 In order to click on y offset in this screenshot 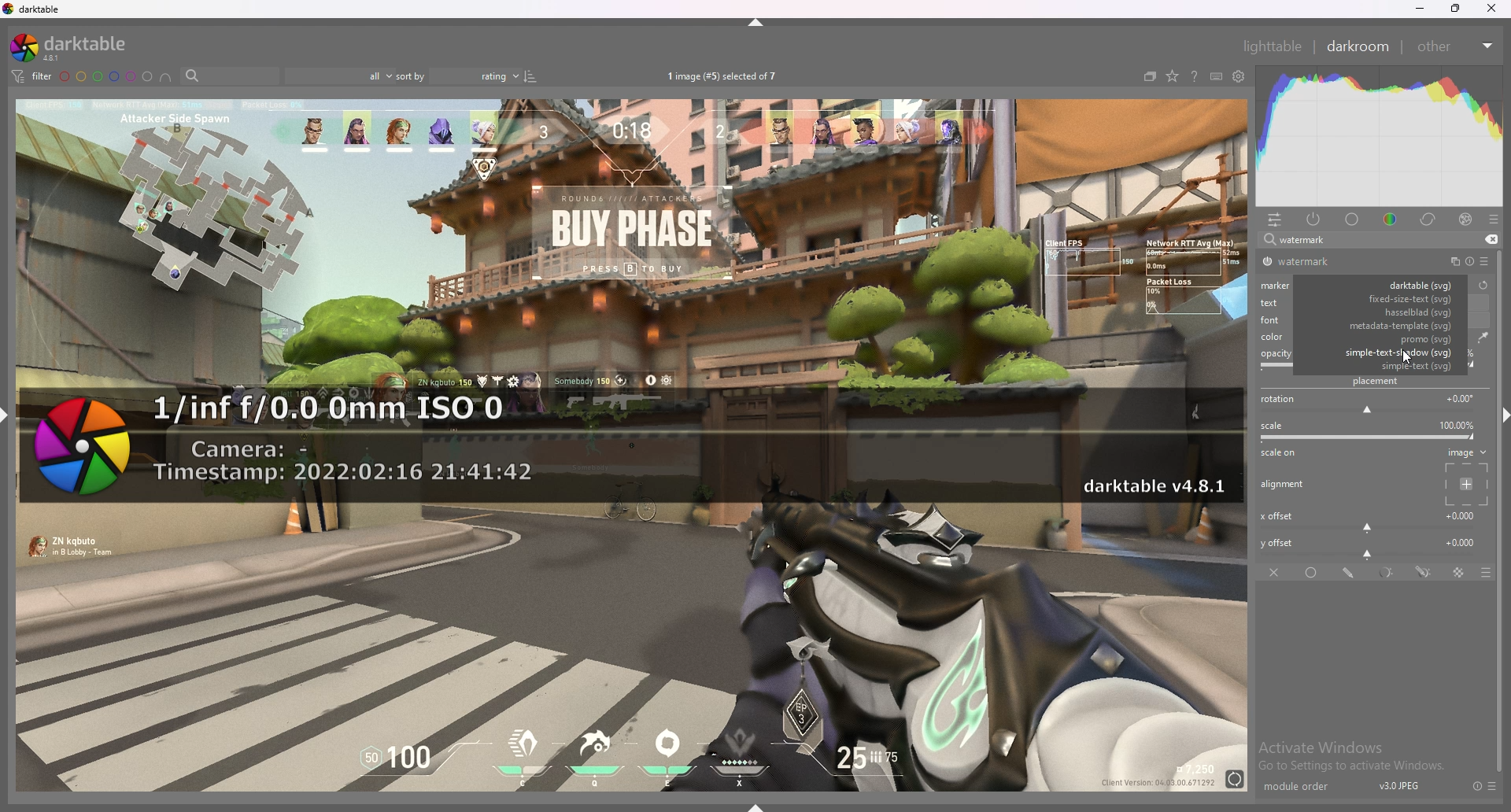, I will do `click(1370, 546)`.